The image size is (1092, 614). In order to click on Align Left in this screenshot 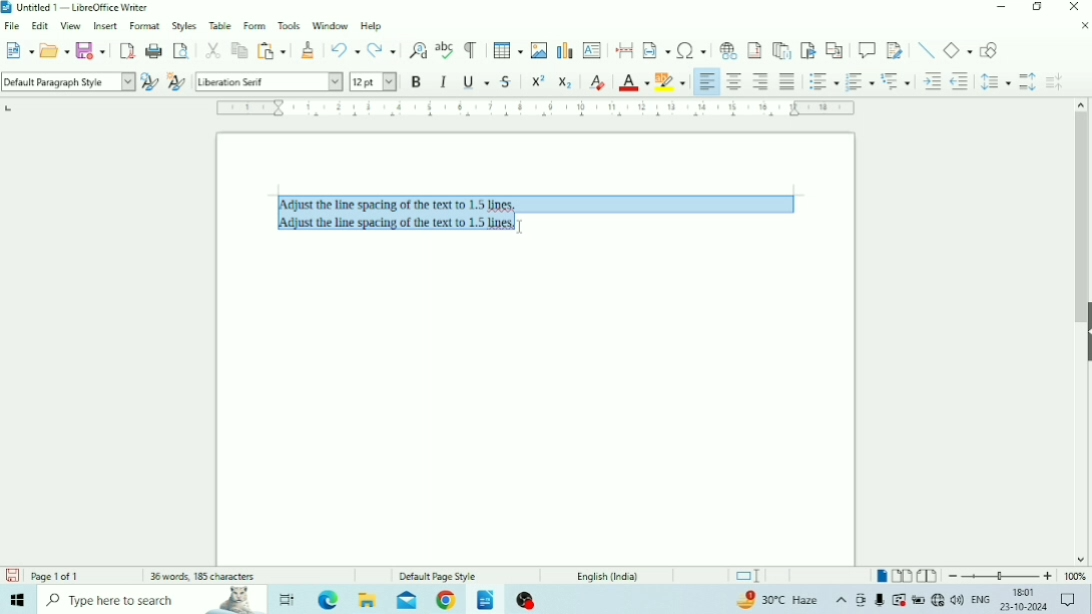, I will do `click(706, 81)`.